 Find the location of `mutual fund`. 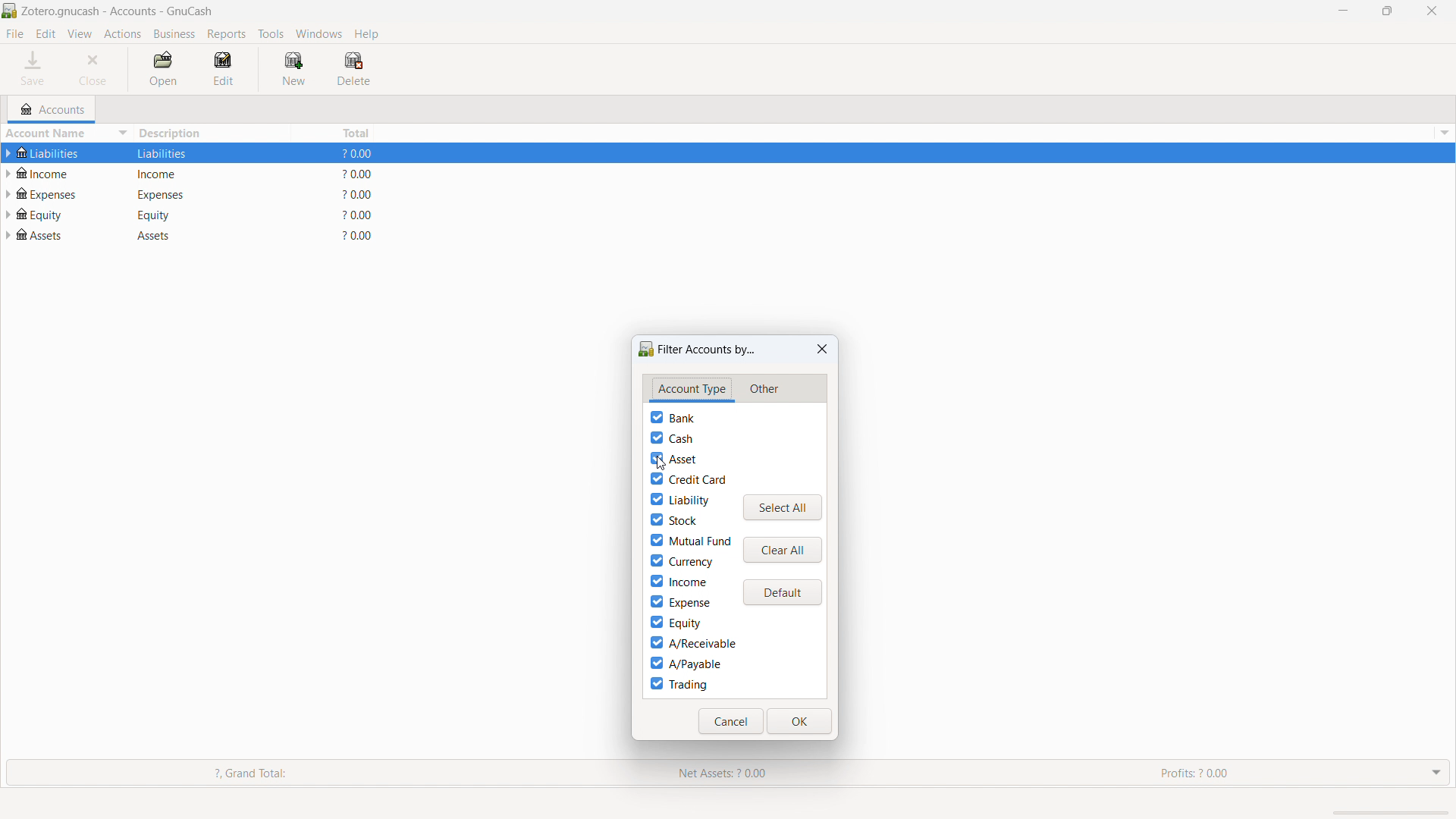

mutual fund is located at coordinates (691, 540).